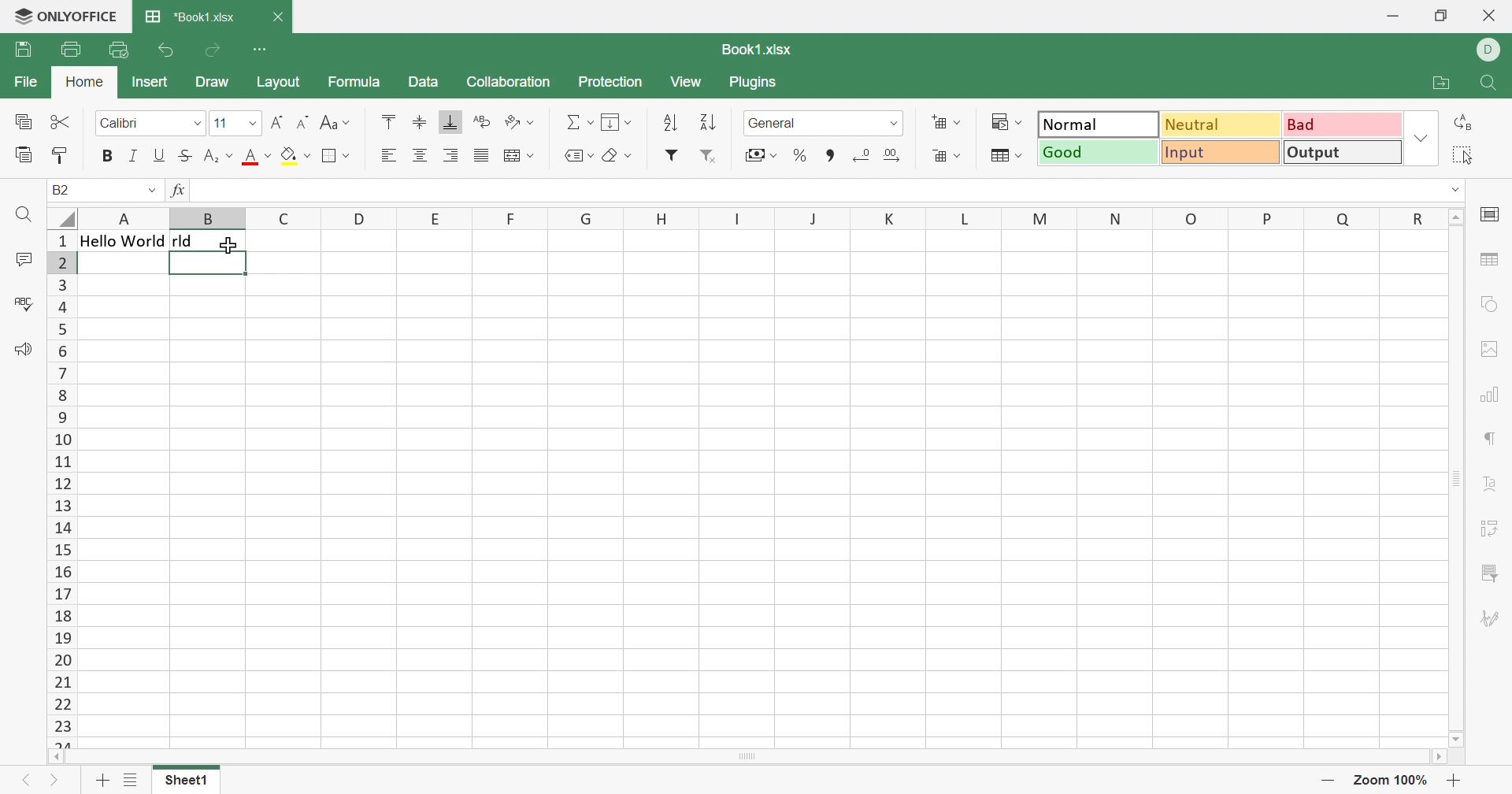 This screenshot has height=794, width=1512. I want to click on Strikethrough, so click(184, 154).